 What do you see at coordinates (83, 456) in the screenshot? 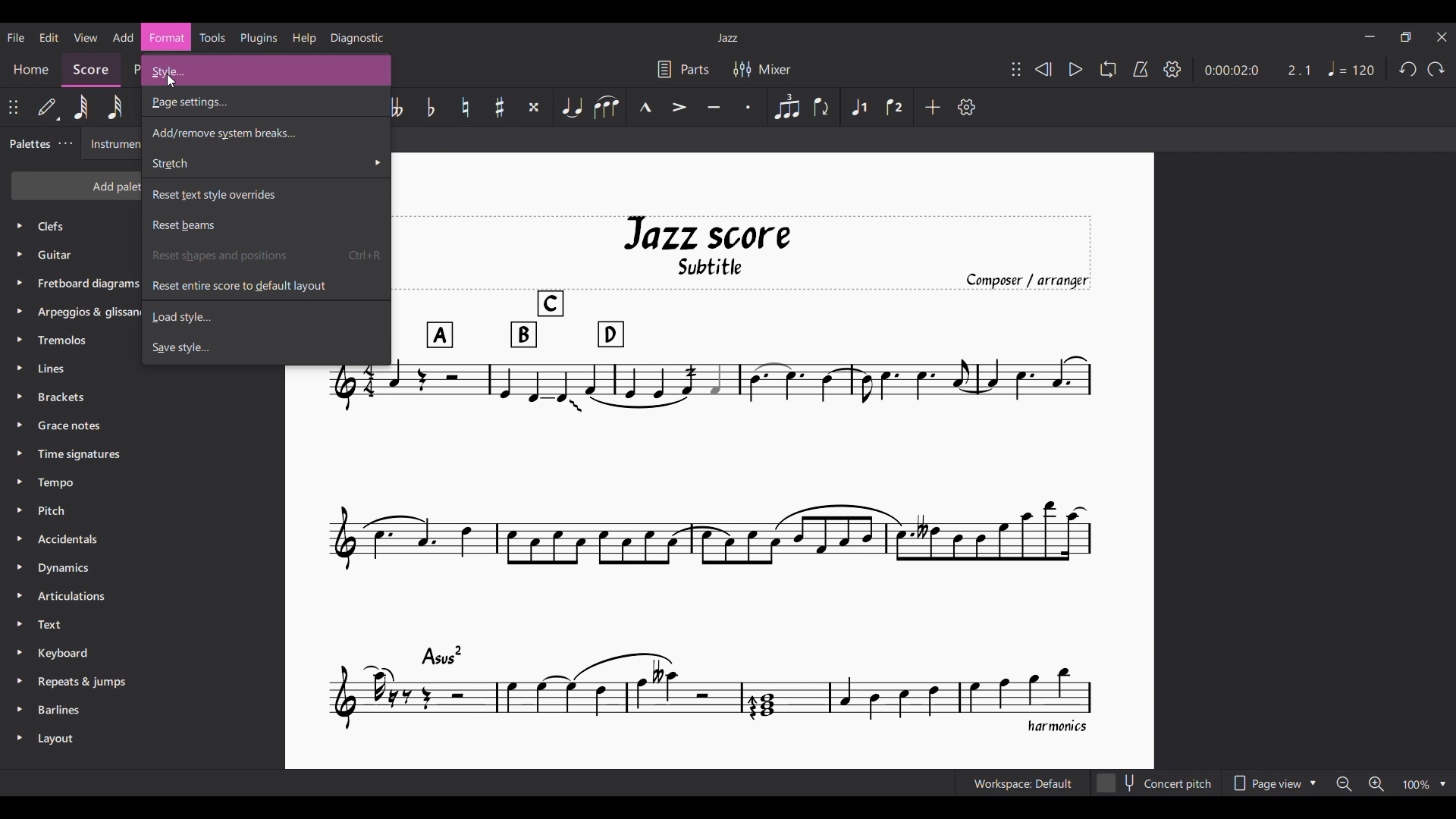
I see `Time` at bounding box center [83, 456].